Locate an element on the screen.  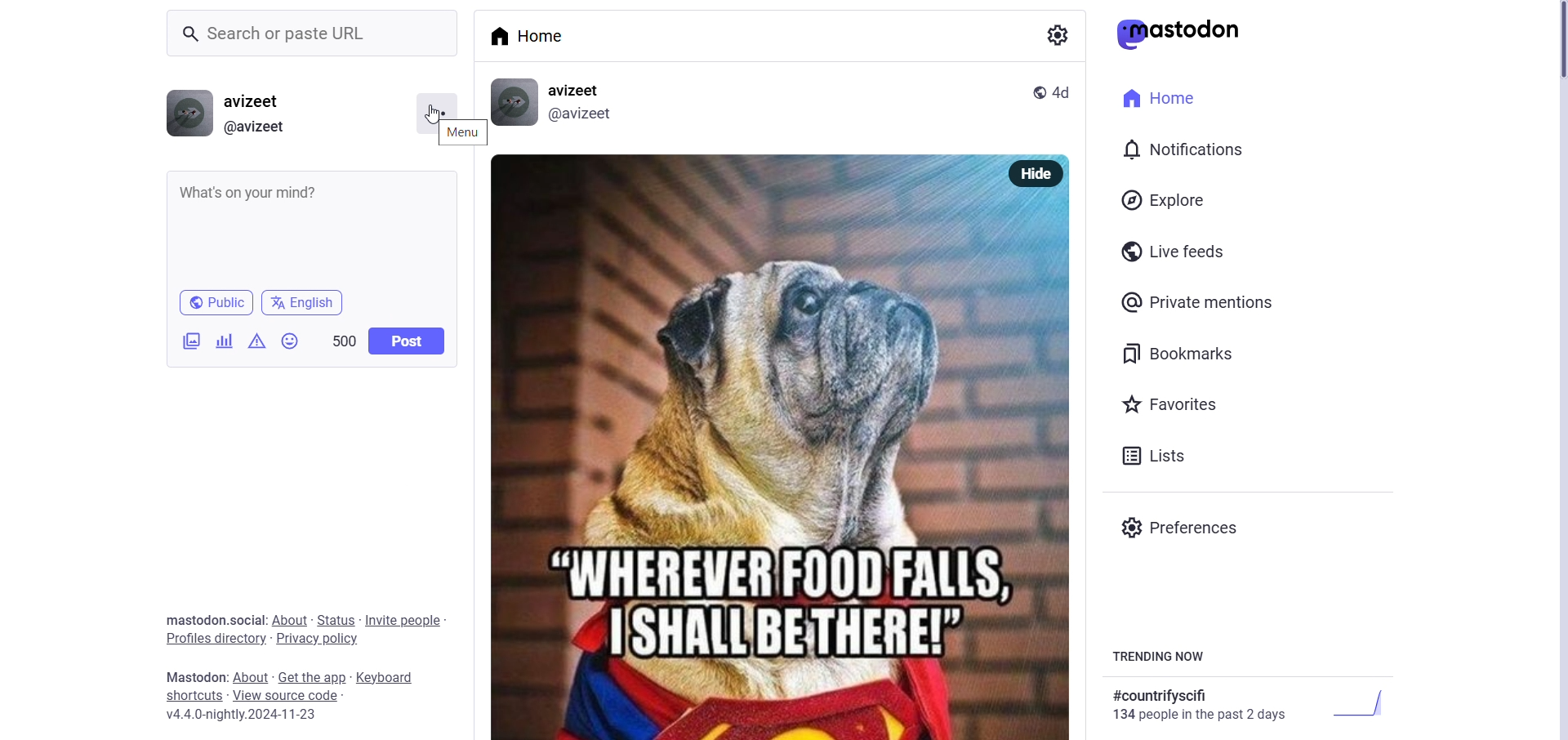
word limit is located at coordinates (343, 339).